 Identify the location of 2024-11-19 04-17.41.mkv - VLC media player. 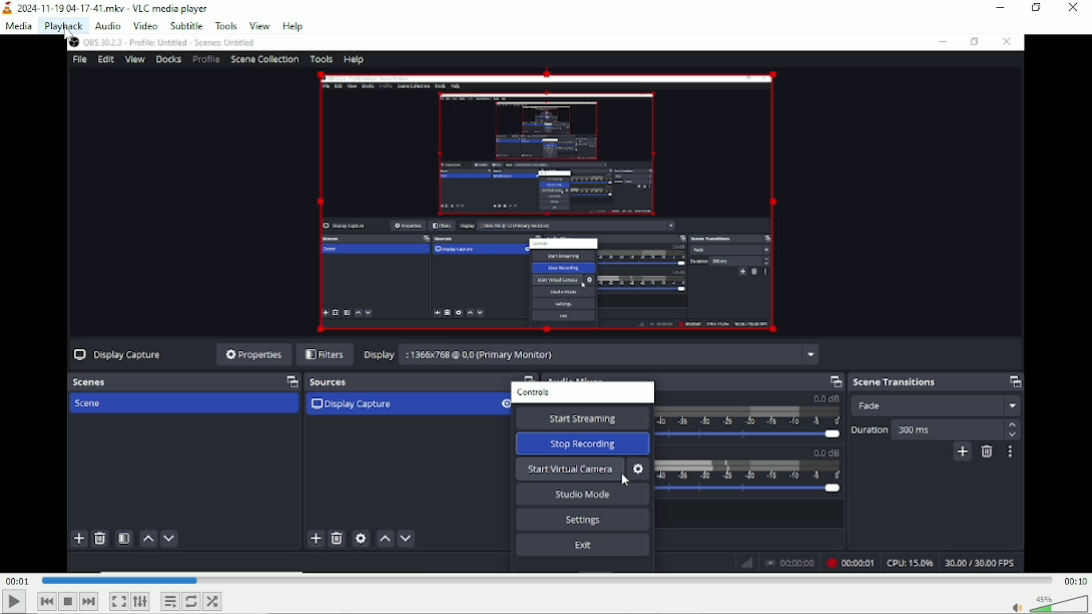
(107, 8).